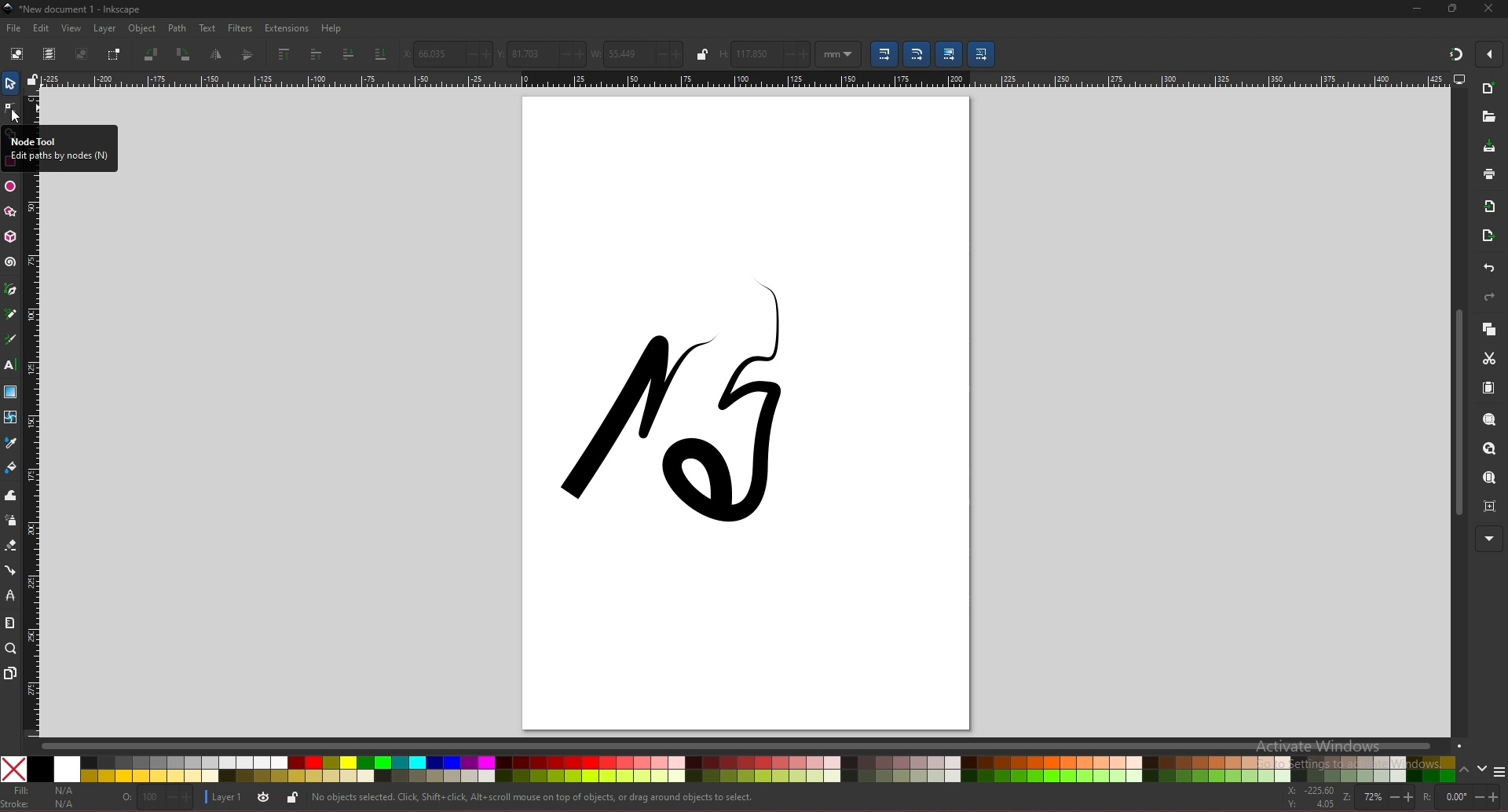  Describe the element at coordinates (10, 364) in the screenshot. I see `text` at that location.